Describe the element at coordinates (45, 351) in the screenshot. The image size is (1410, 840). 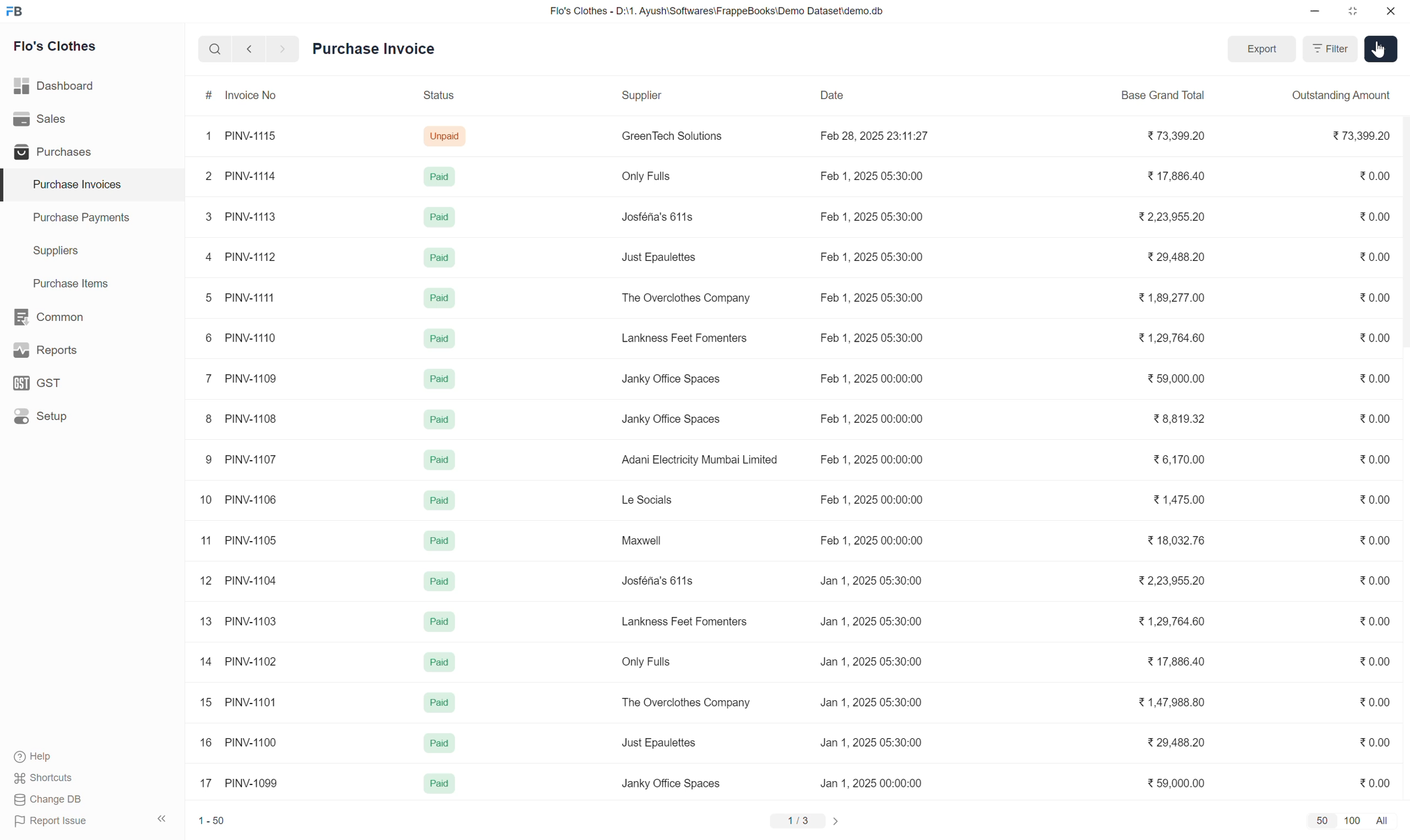
I see `y Reports` at that location.